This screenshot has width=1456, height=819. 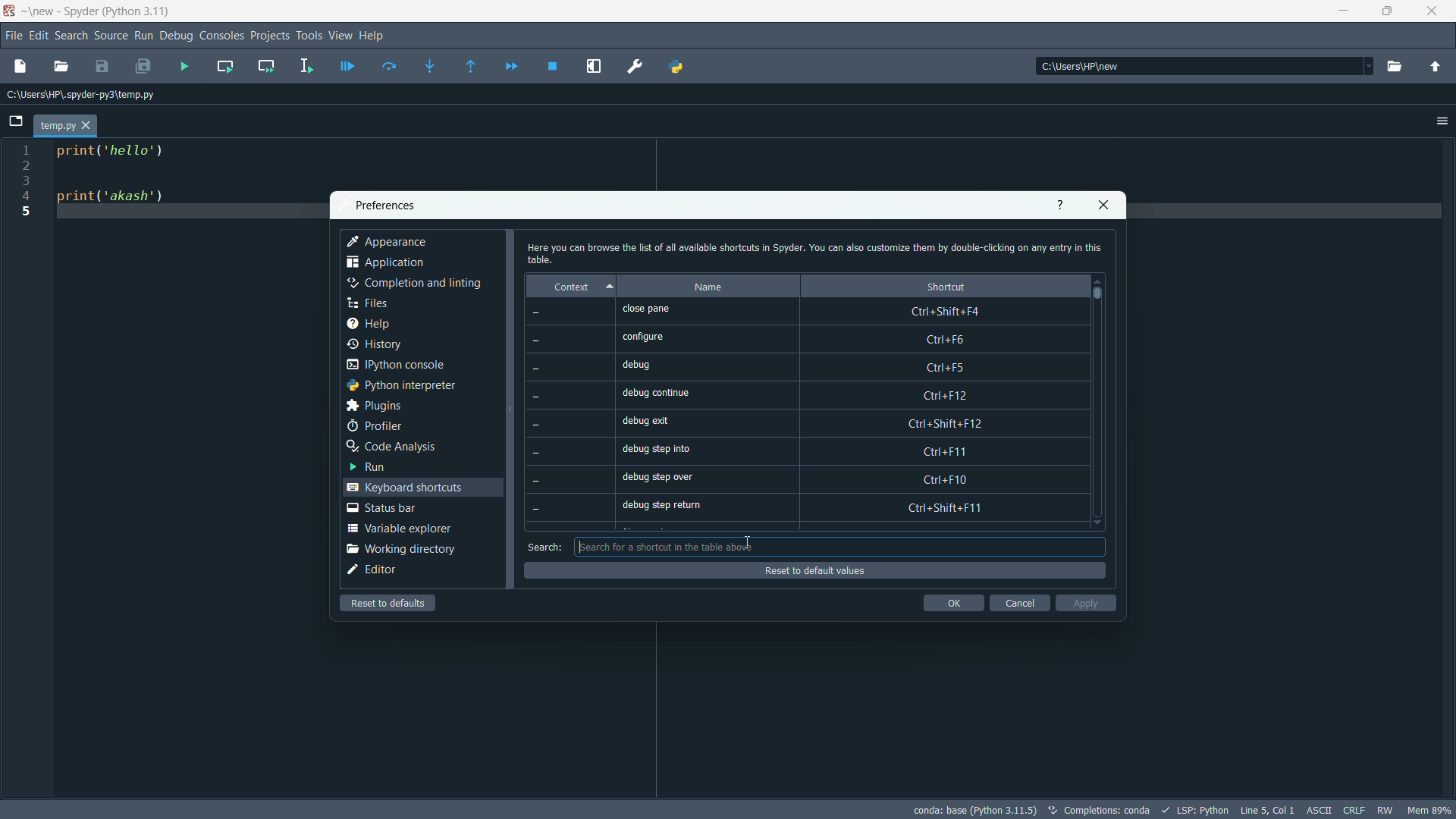 I want to click on ok, so click(x=952, y=603).